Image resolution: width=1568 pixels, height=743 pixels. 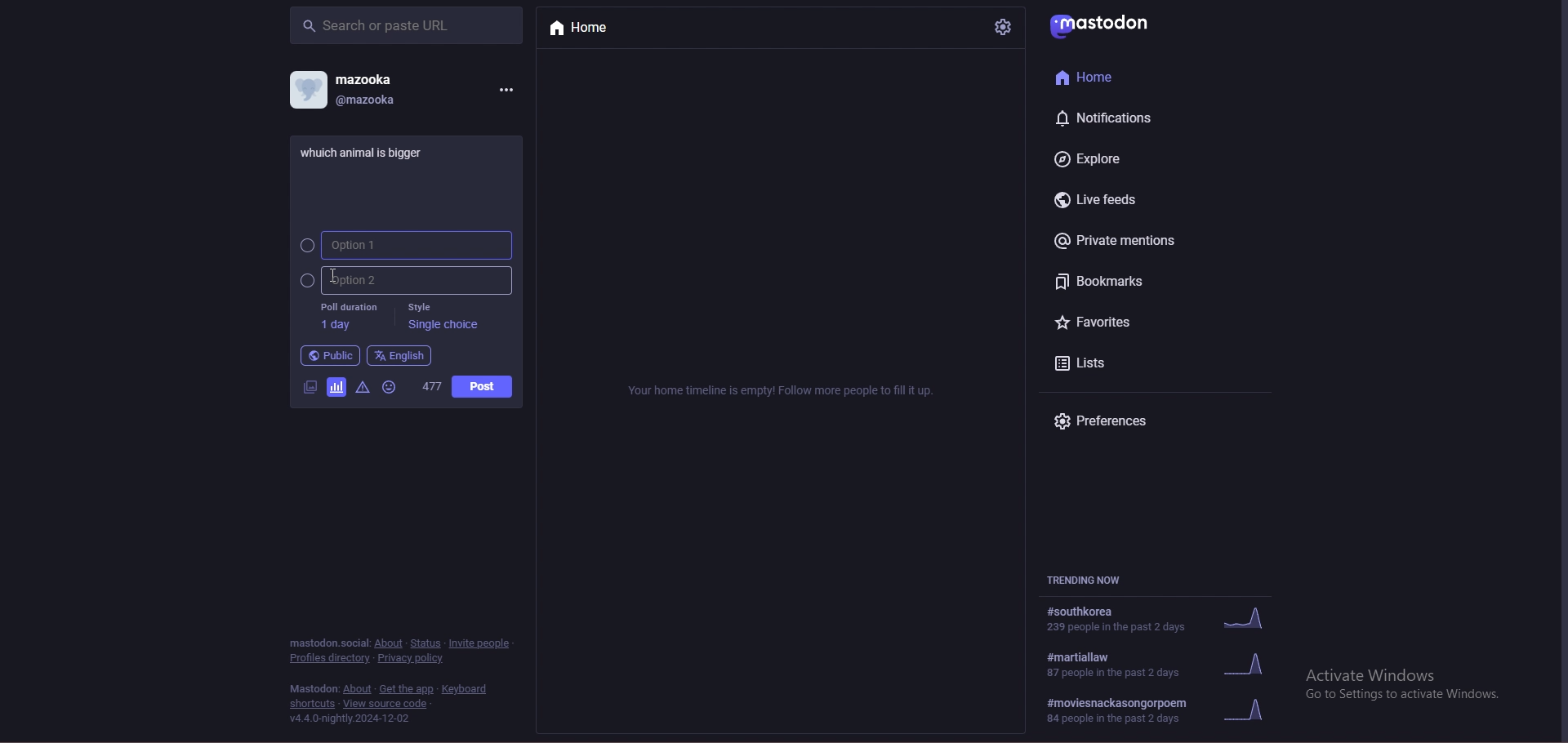 What do you see at coordinates (327, 642) in the screenshot?
I see `mastodon` at bounding box center [327, 642].